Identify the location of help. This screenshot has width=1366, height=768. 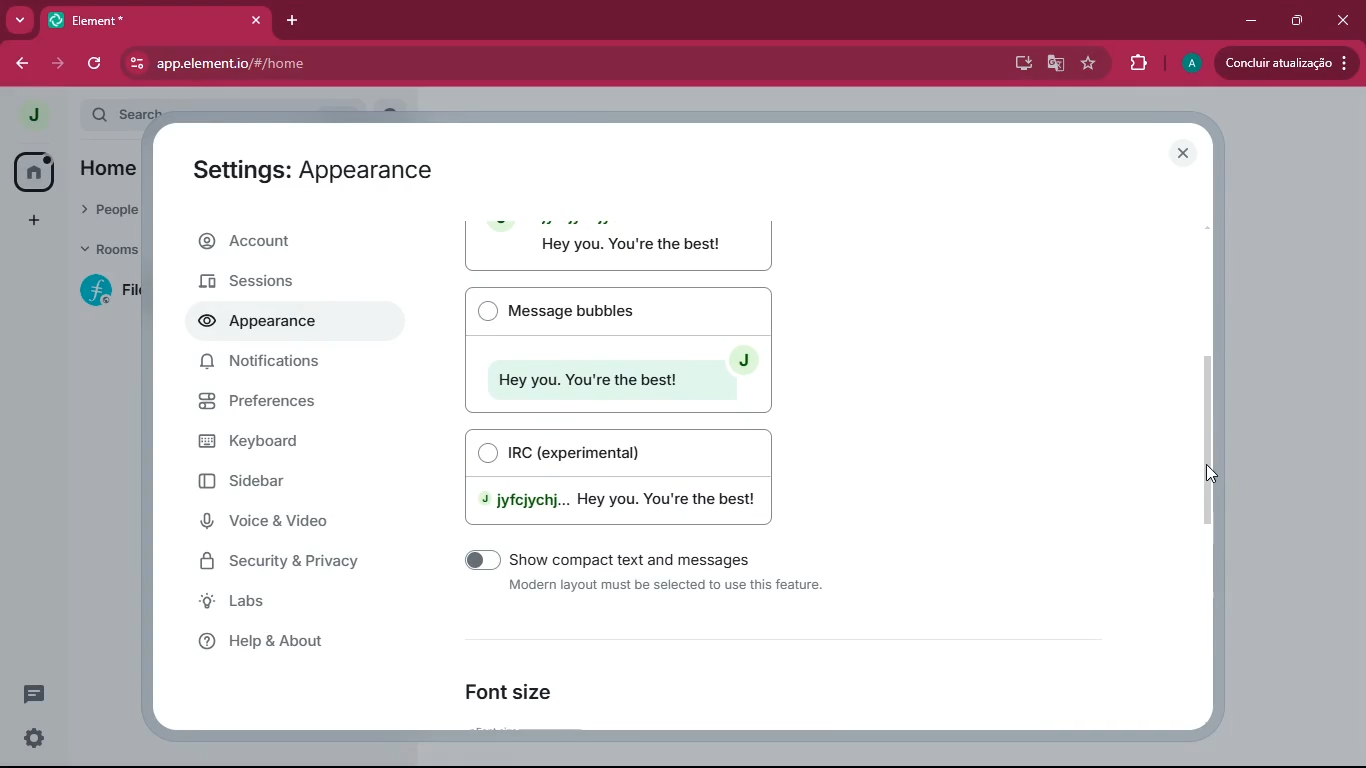
(301, 640).